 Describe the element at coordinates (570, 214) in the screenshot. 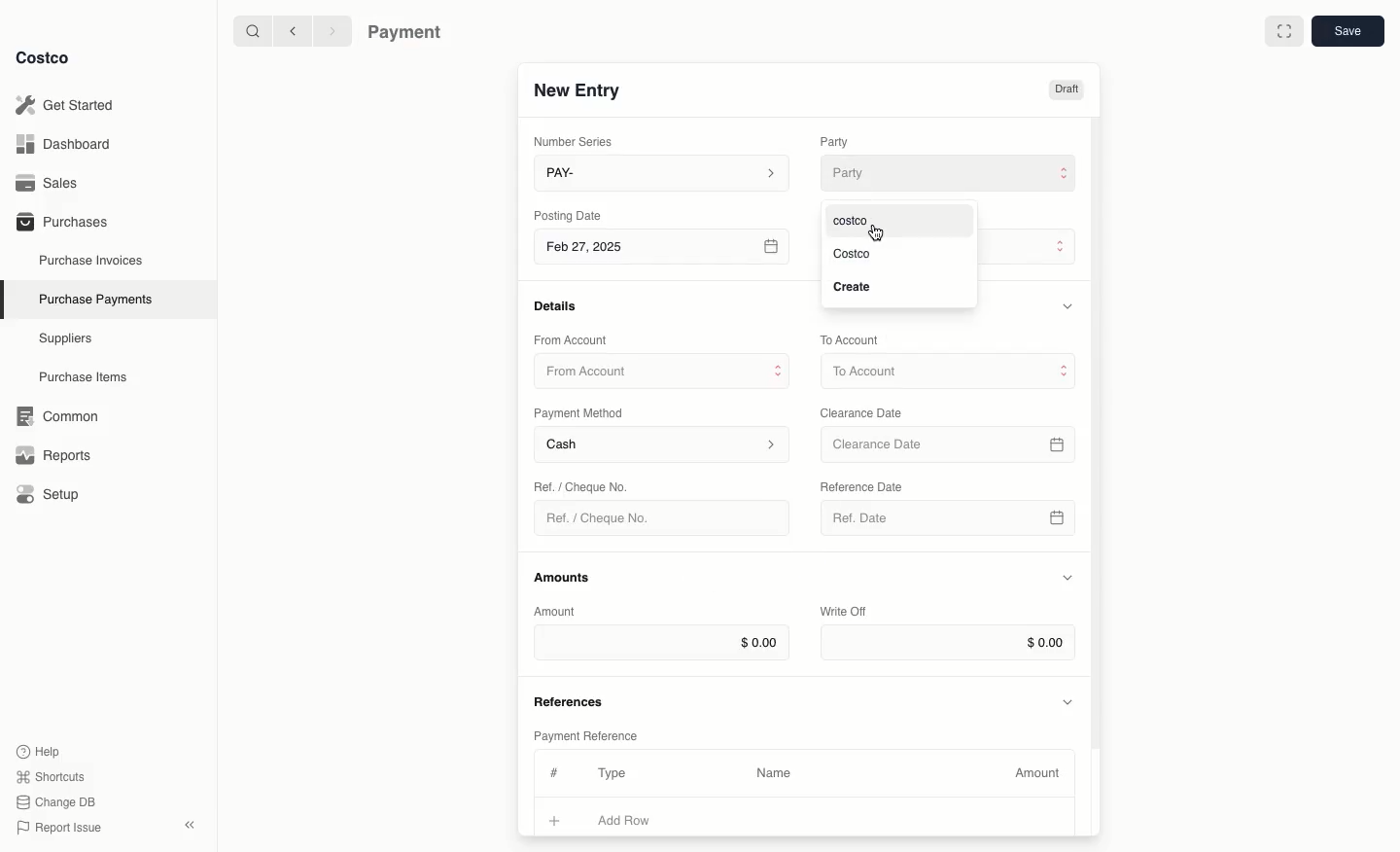

I see `Posting Date` at that location.